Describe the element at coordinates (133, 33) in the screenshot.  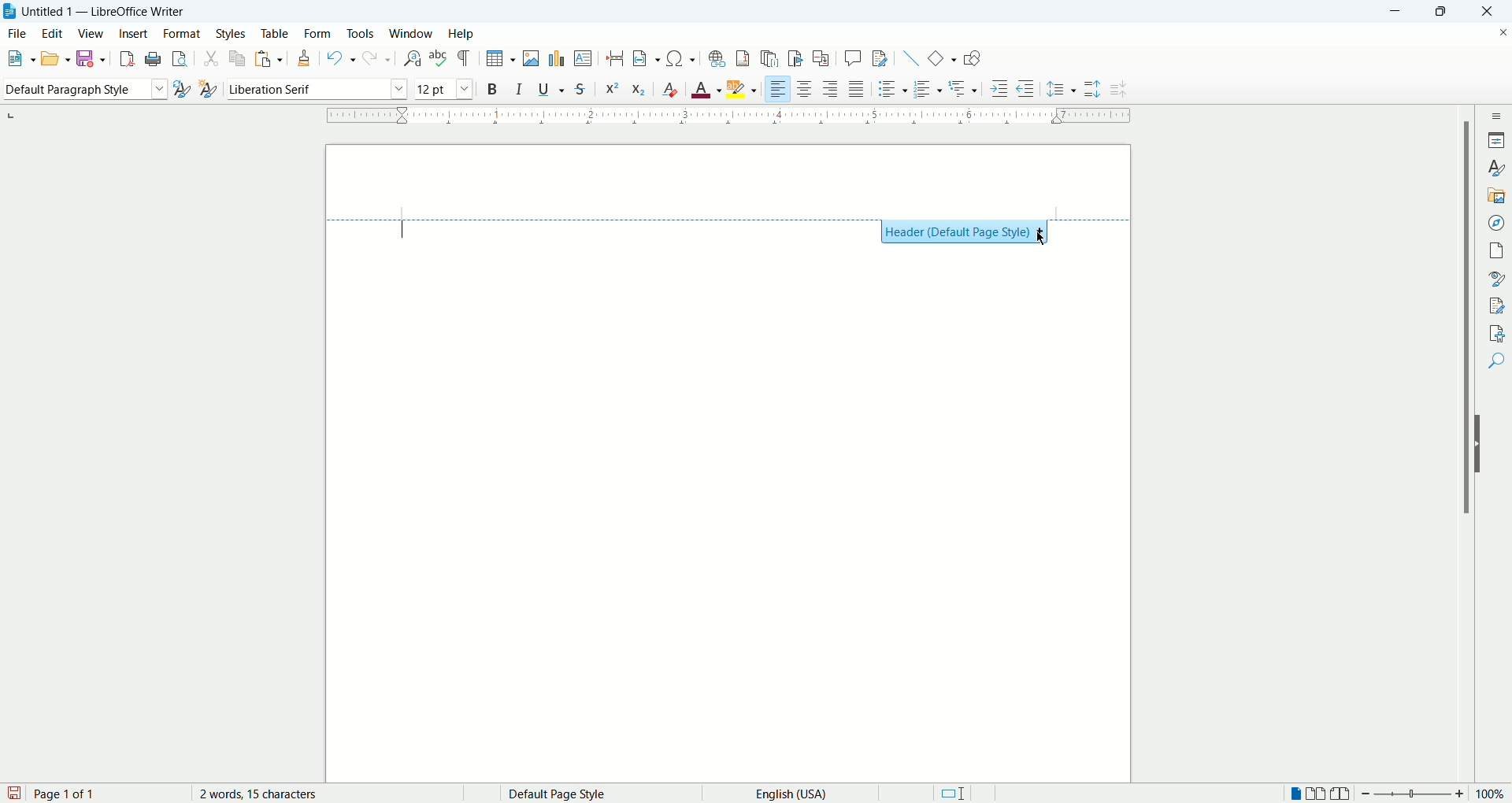
I see `insert` at that location.